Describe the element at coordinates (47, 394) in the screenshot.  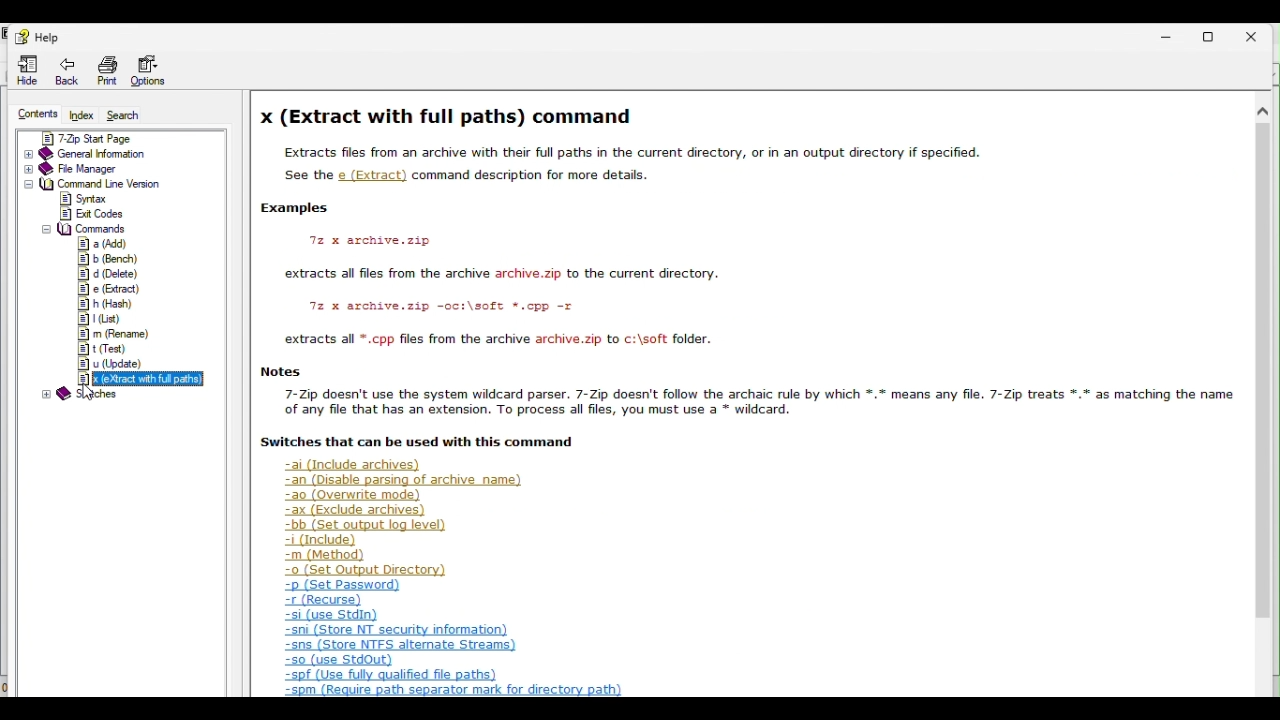
I see `expand` at that location.